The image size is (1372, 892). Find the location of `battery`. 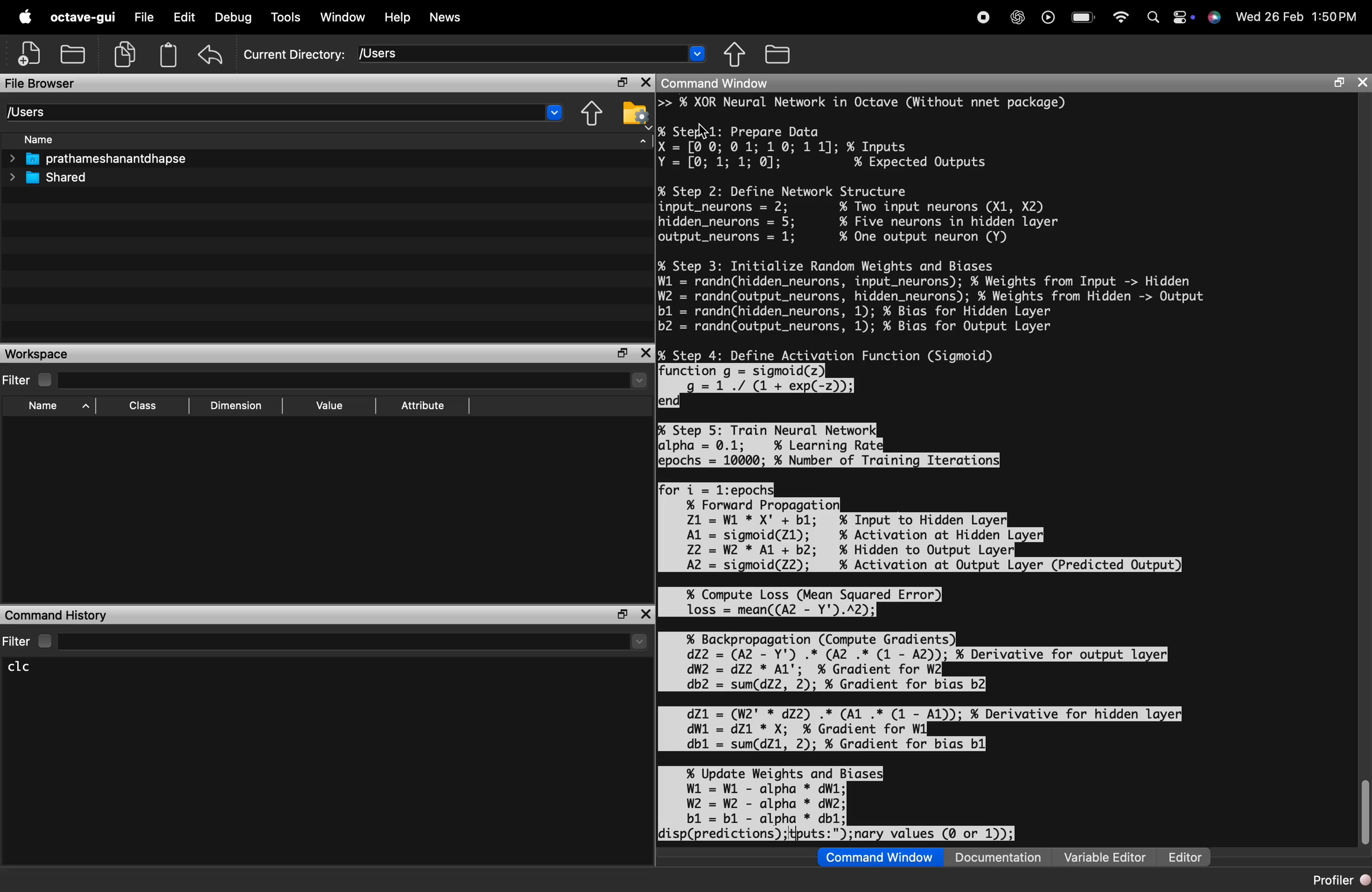

battery is located at coordinates (1083, 14).